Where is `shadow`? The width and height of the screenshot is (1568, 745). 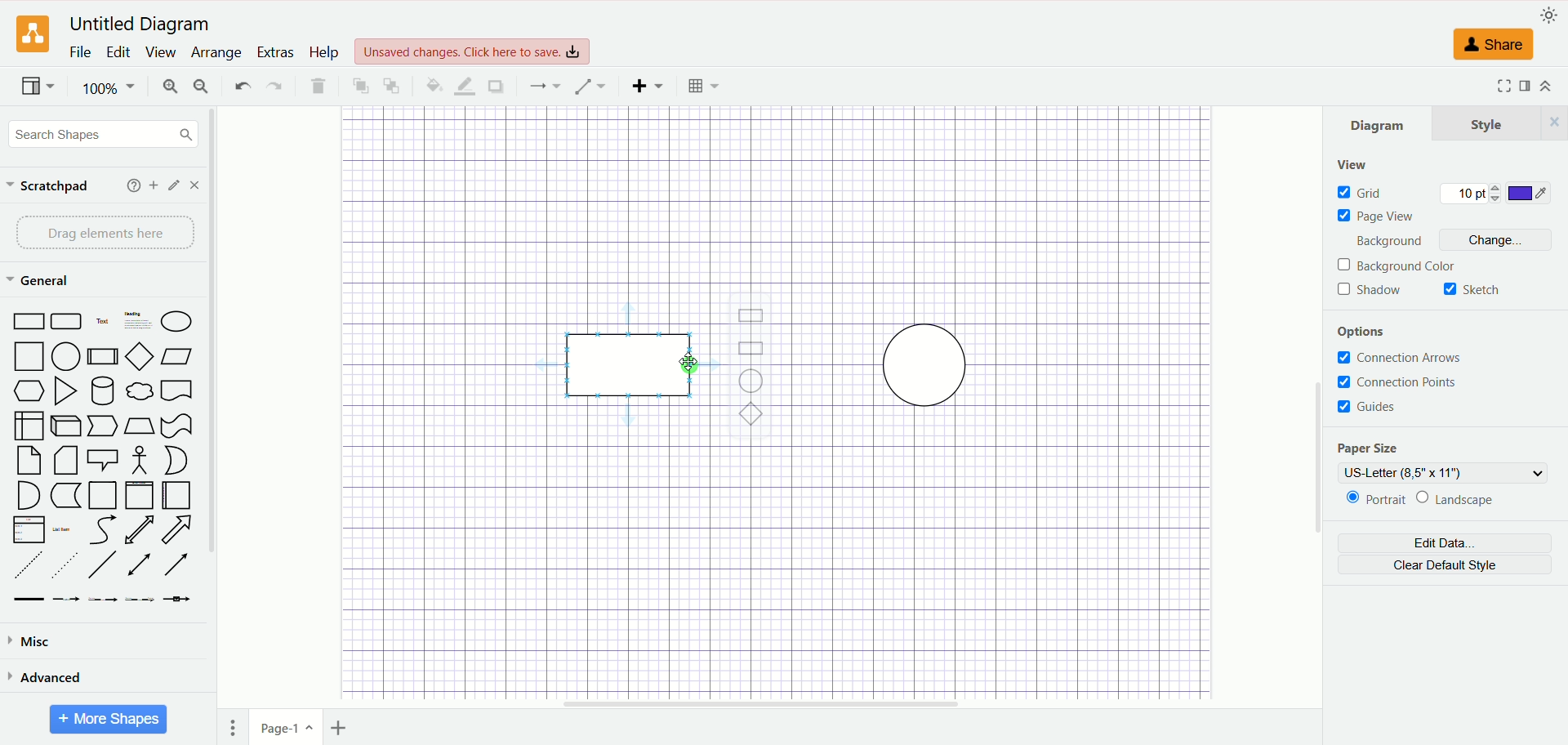
shadow is located at coordinates (1370, 289).